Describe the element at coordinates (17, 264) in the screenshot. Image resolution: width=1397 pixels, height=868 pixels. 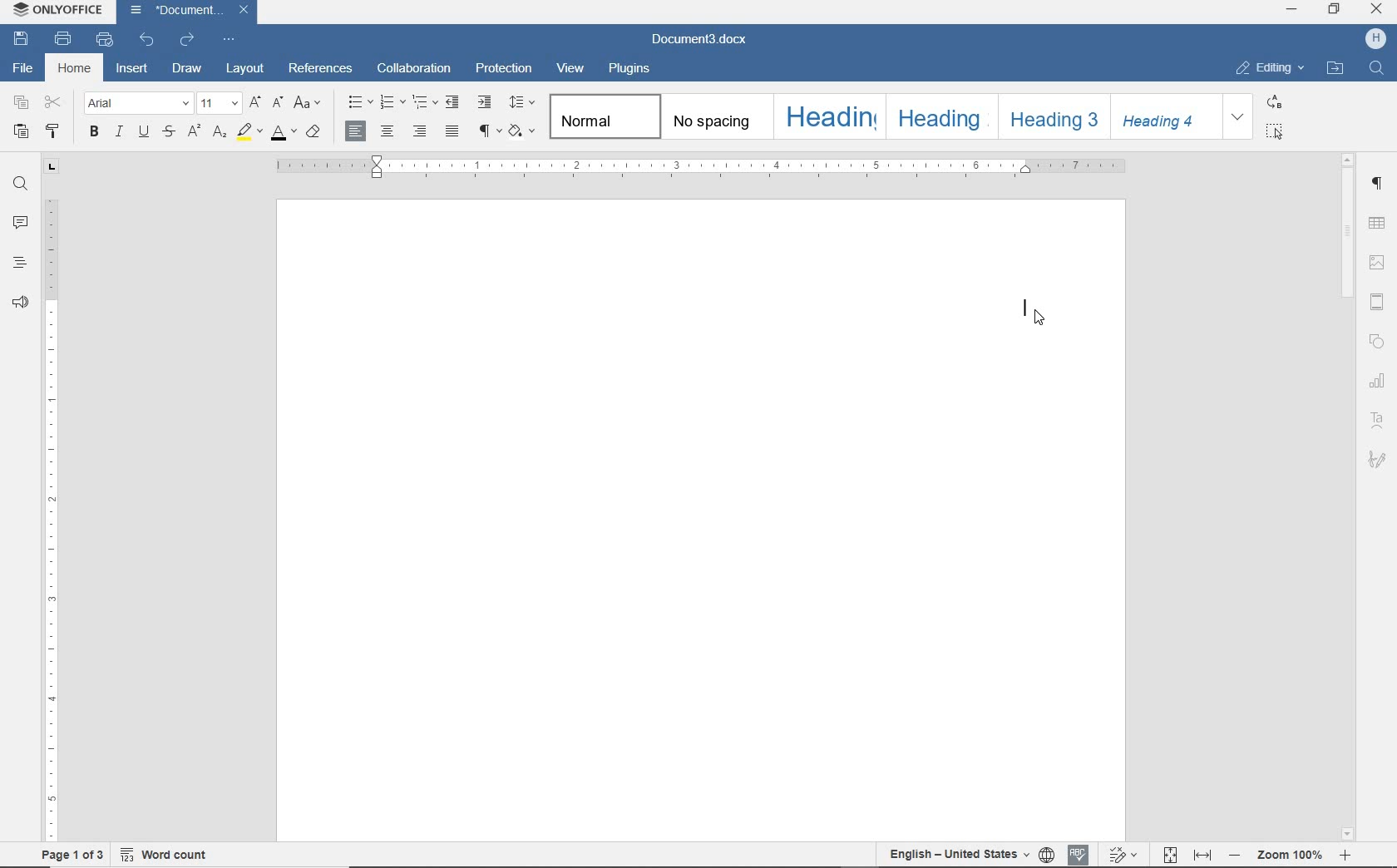
I see `HEADINGS` at that location.